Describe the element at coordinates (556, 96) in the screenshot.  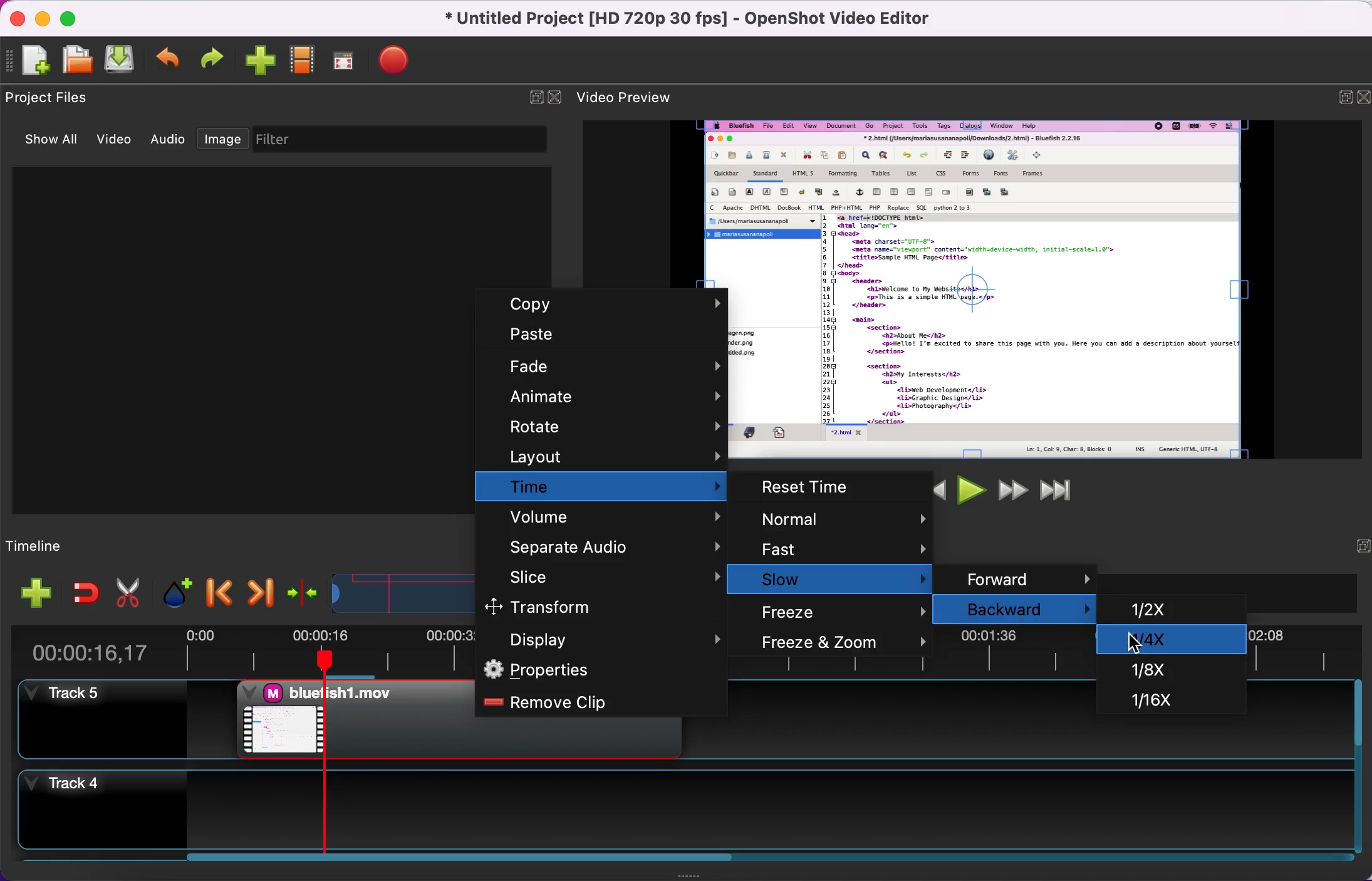
I see `close` at that location.